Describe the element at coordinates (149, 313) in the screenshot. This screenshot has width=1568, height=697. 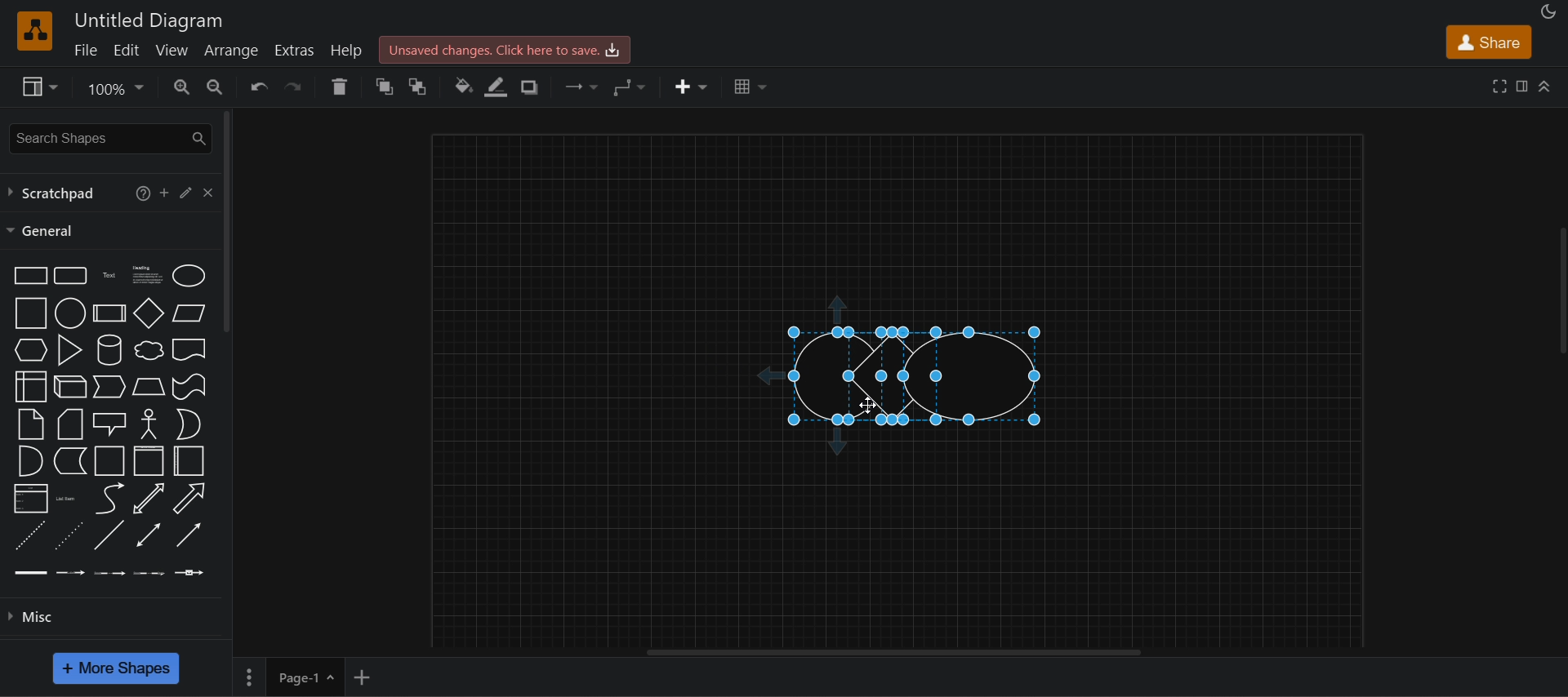
I see `diamond` at that location.